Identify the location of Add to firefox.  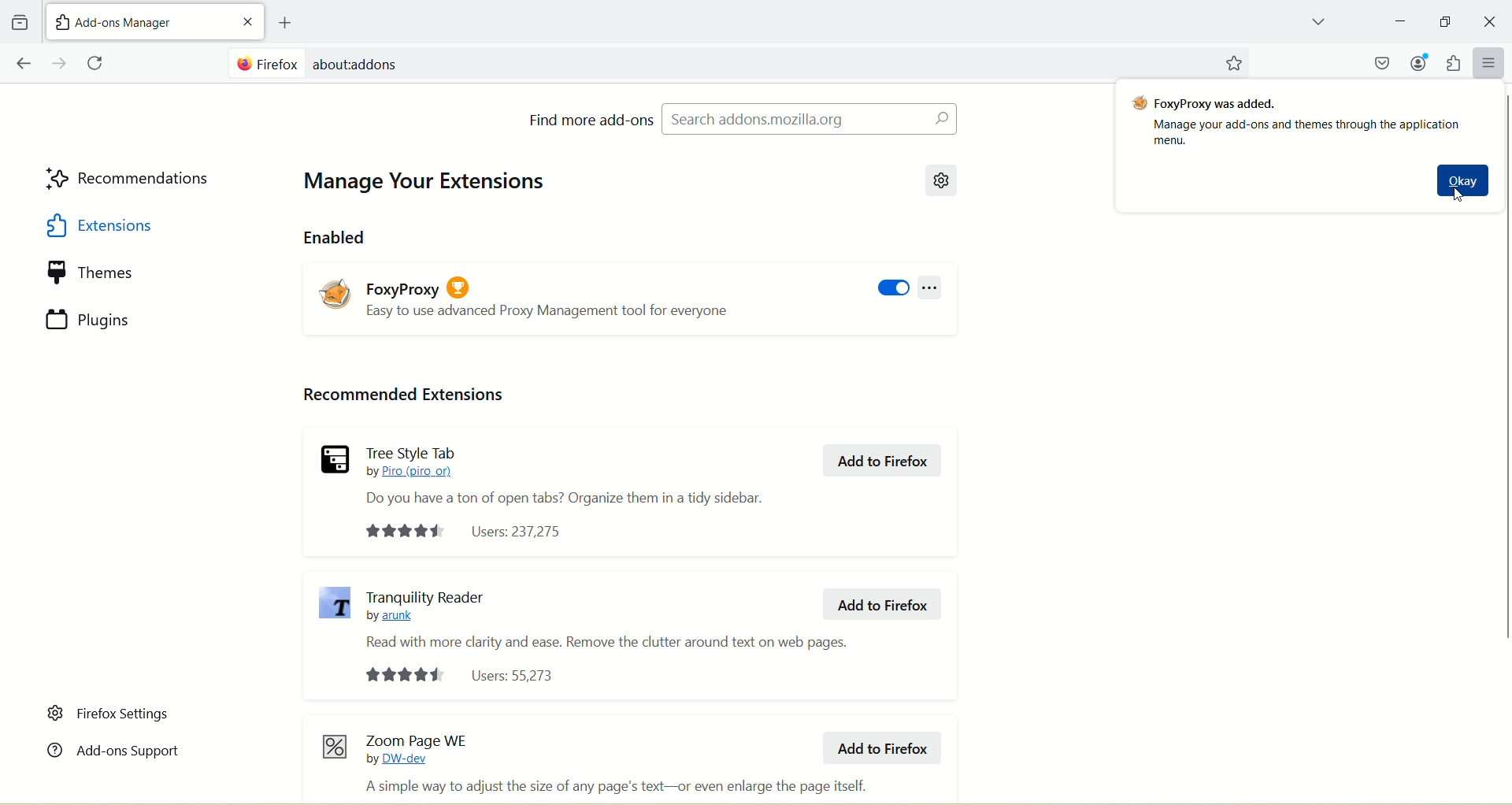
(880, 747).